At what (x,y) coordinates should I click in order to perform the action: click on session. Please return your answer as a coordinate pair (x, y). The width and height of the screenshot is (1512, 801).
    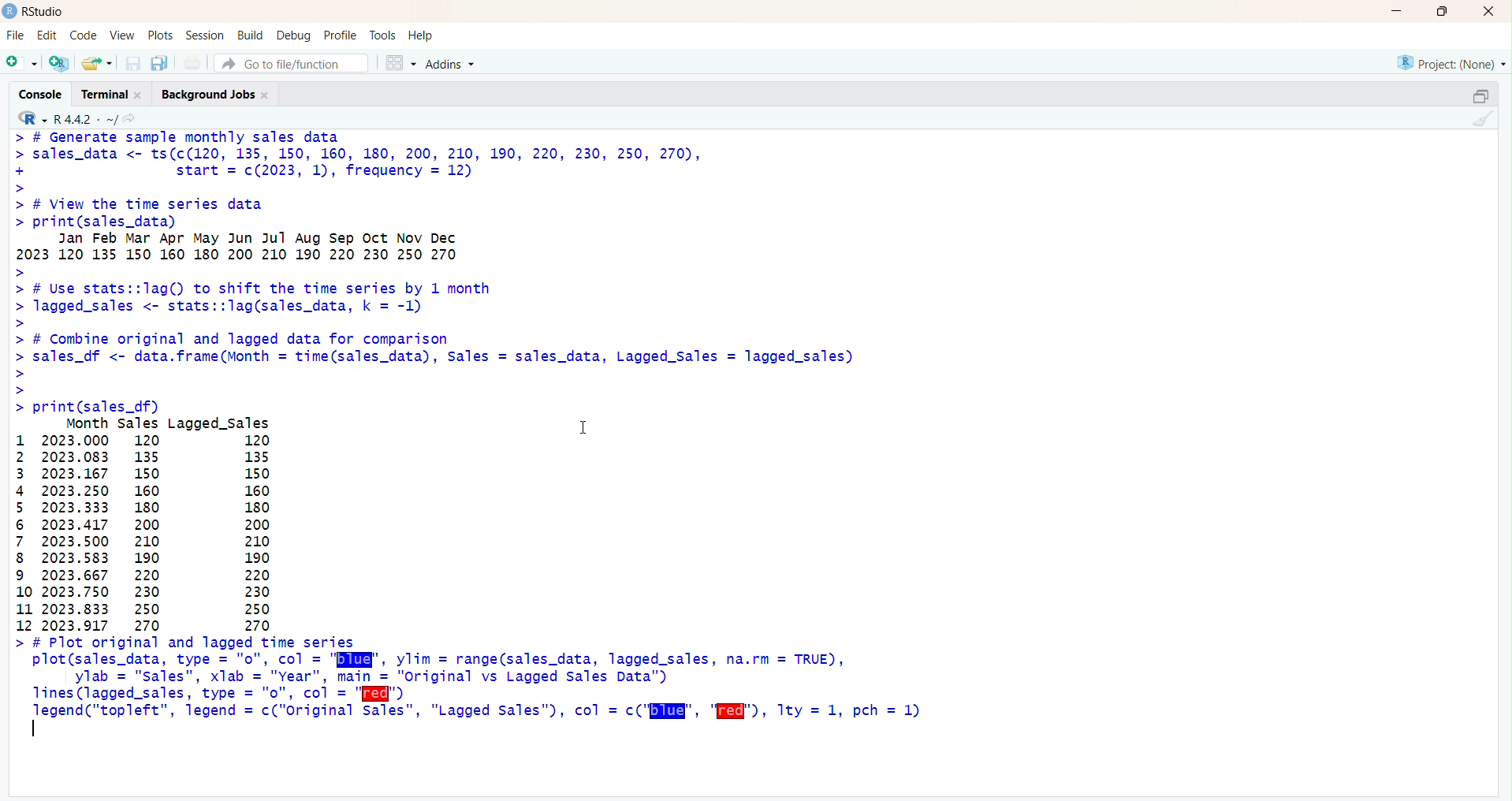
    Looking at the image, I should click on (205, 35).